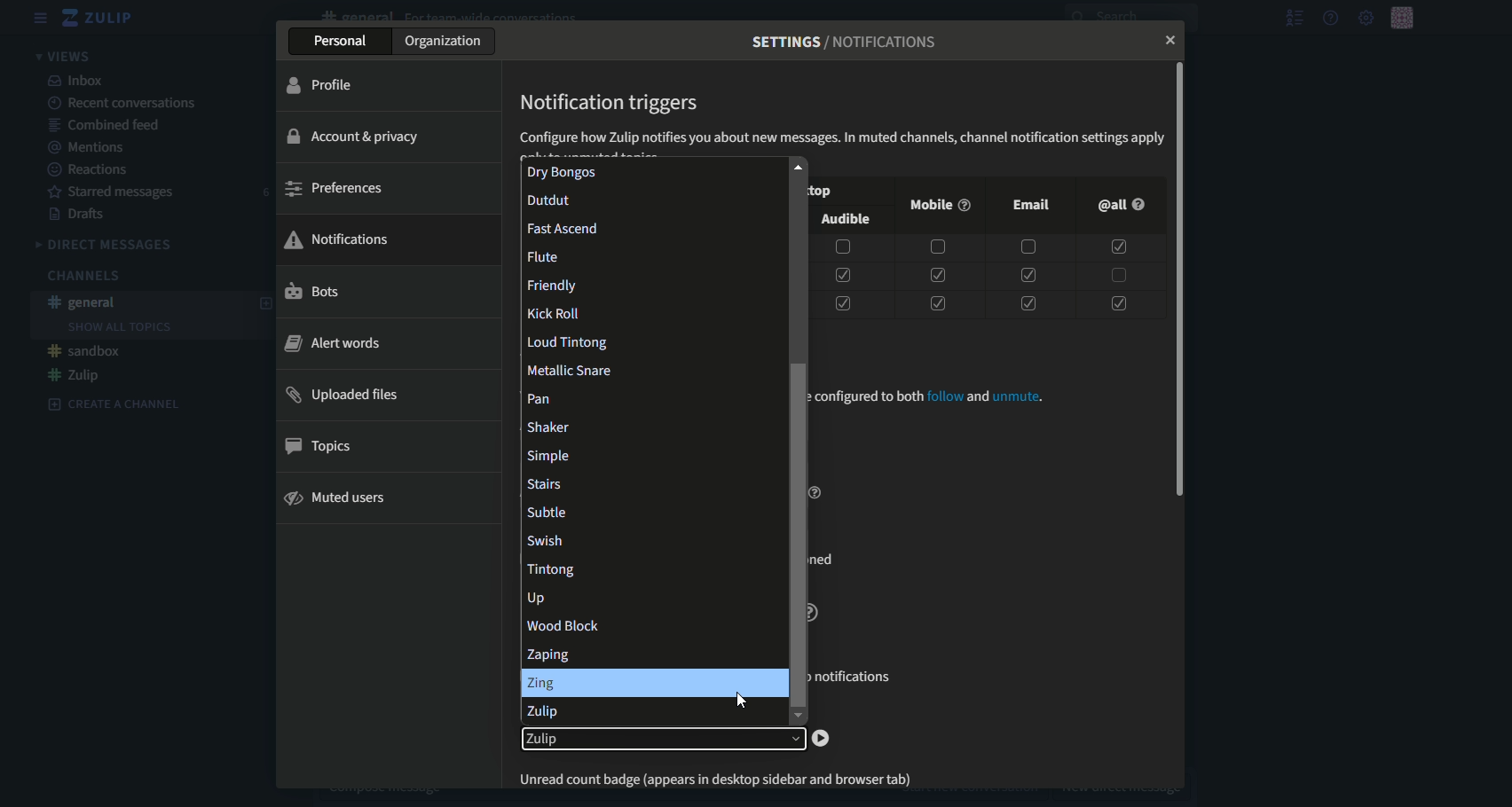 The image size is (1512, 807). Describe the element at coordinates (650, 653) in the screenshot. I see `zaping` at that location.